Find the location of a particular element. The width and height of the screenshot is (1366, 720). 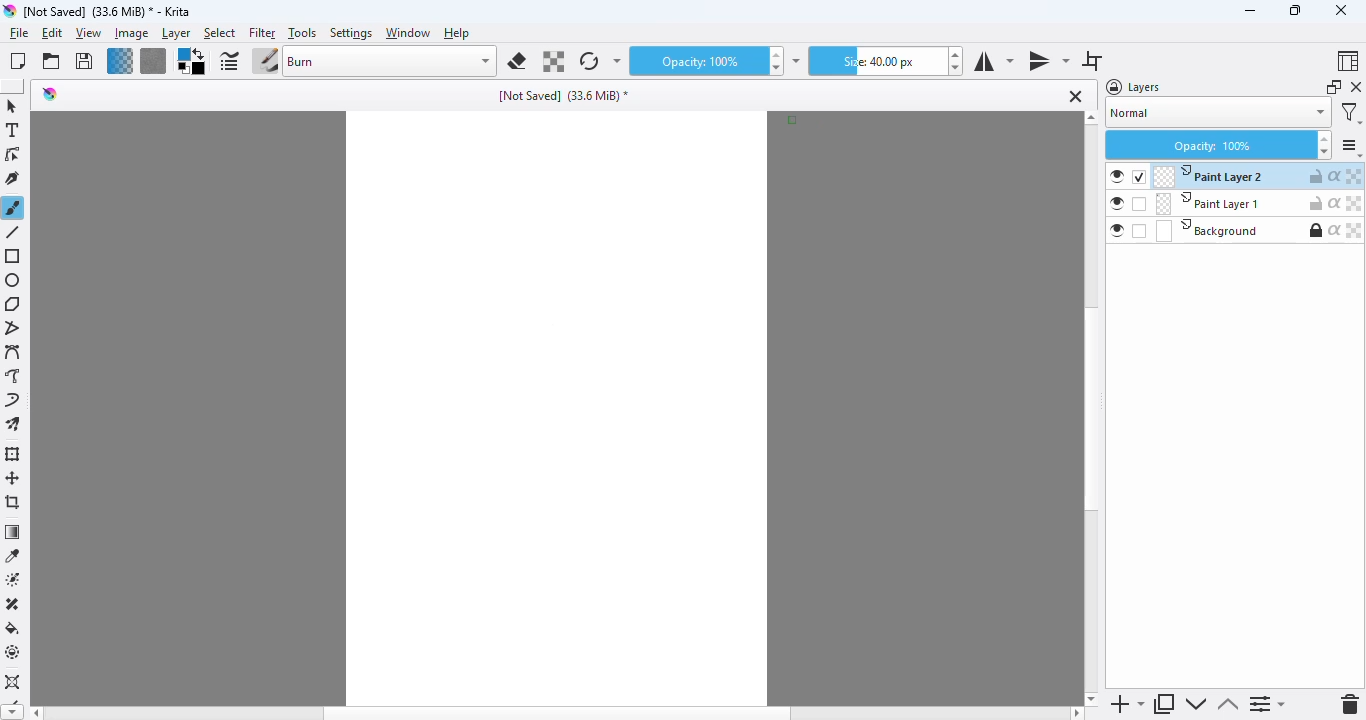

open an existing document is located at coordinates (51, 61).